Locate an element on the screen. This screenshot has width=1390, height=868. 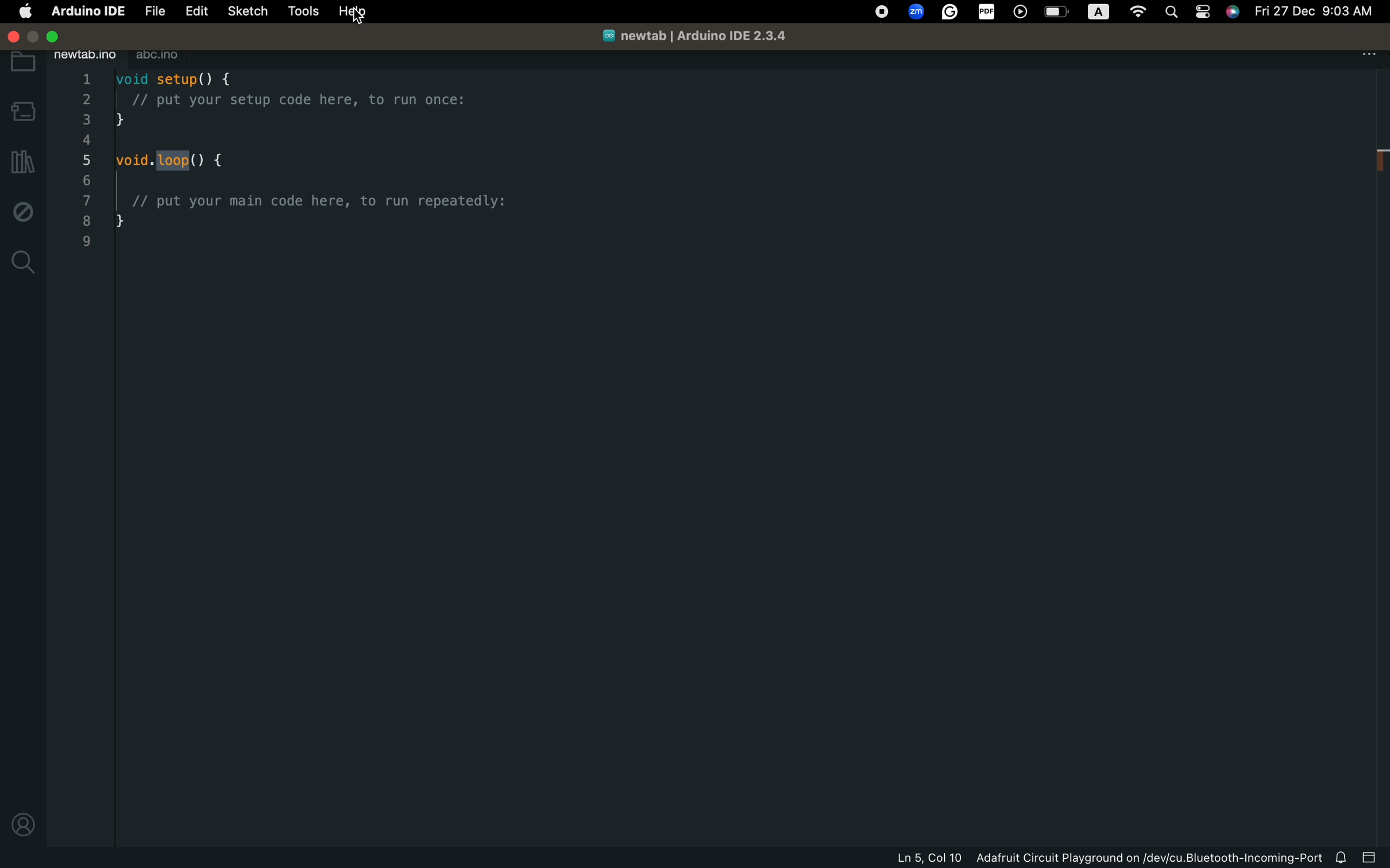
newtab | Arduino IDE 2.3.4 is located at coordinates (692, 37).